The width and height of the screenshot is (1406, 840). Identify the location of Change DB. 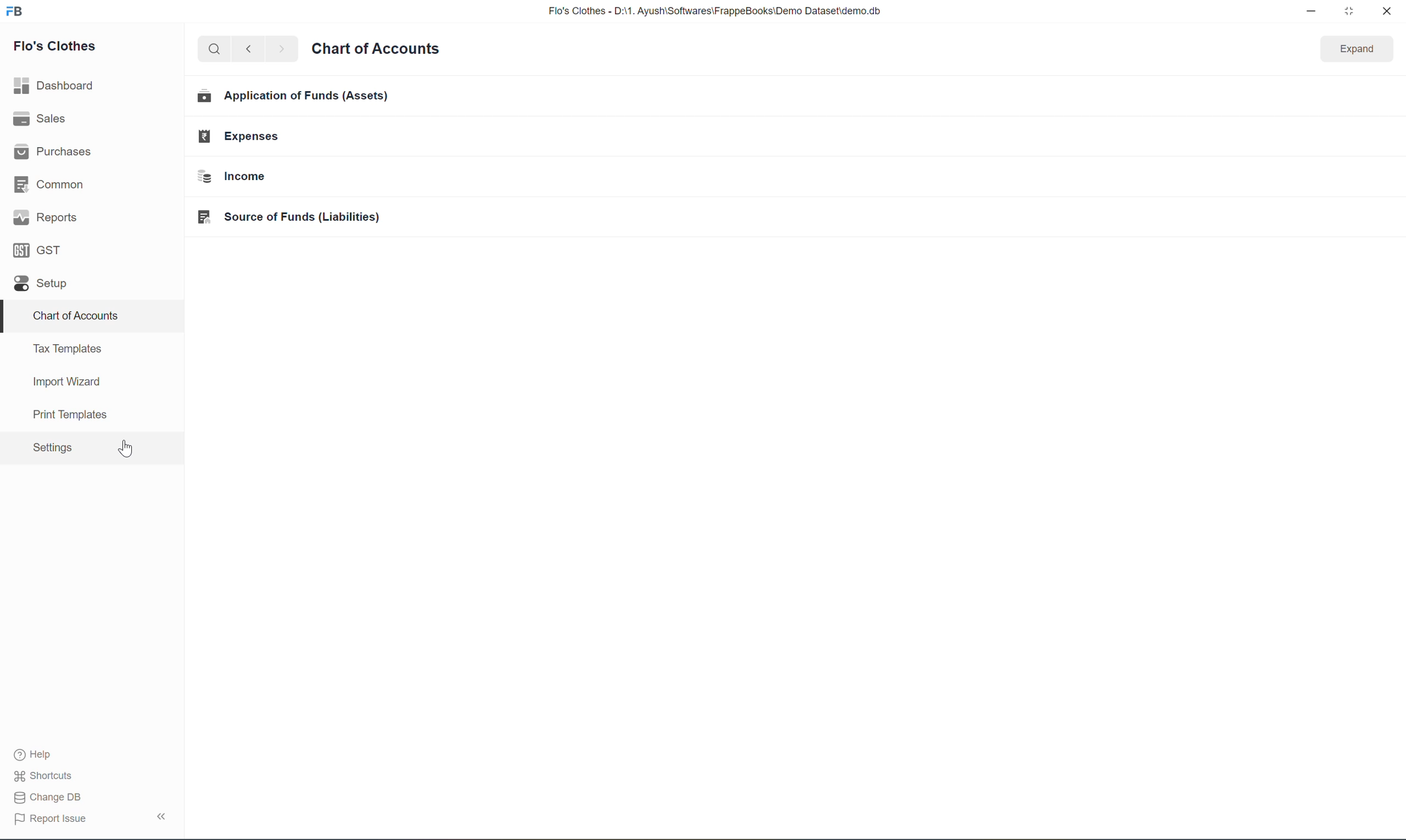
(48, 797).